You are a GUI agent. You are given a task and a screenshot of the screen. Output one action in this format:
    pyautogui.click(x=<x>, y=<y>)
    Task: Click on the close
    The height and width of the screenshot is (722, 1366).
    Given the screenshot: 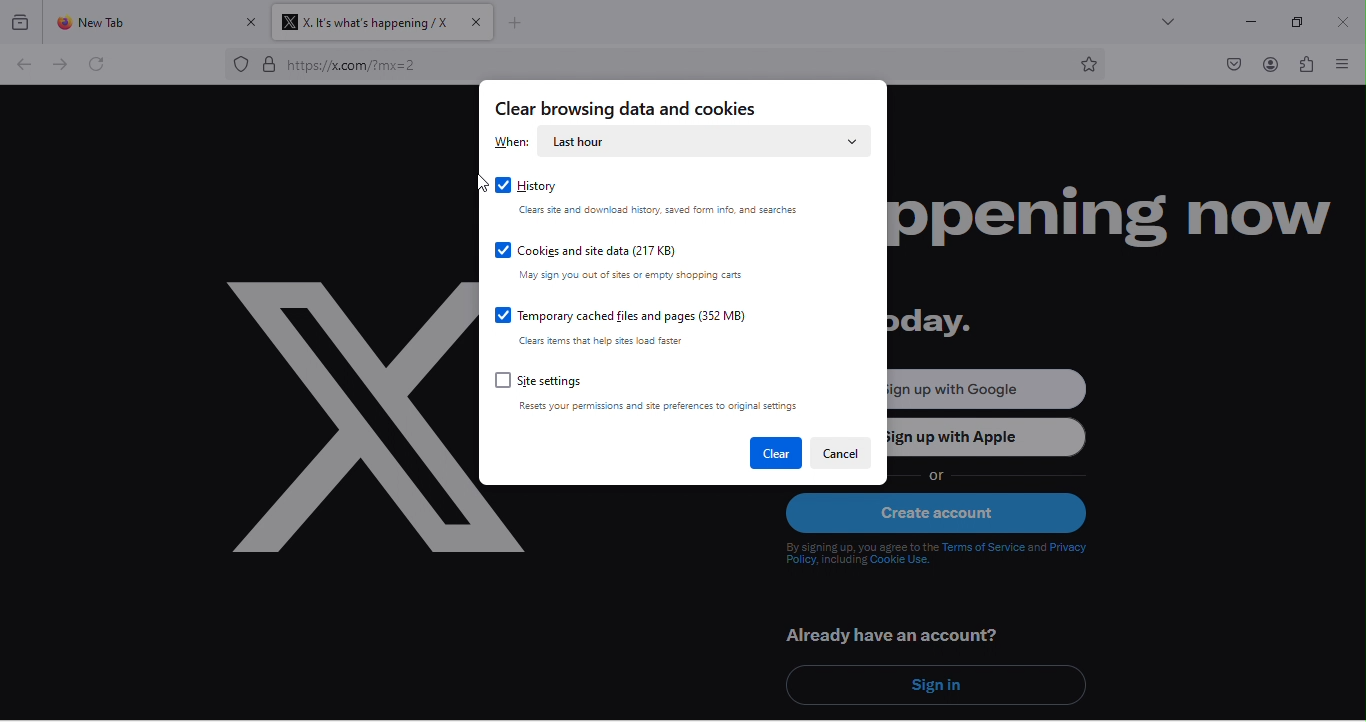 What is the action you would take?
    pyautogui.click(x=1341, y=22)
    